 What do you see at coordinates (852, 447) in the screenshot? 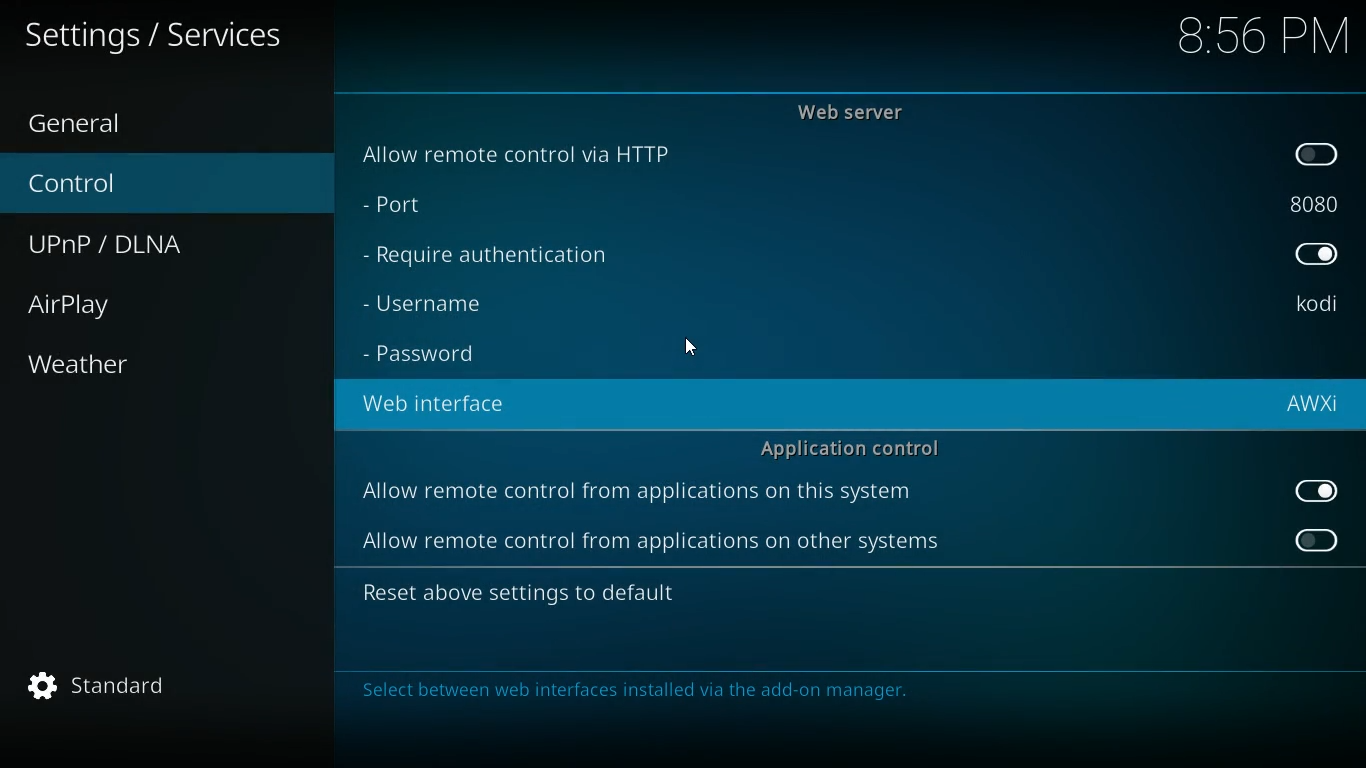
I see `aplication control` at bounding box center [852, 447].